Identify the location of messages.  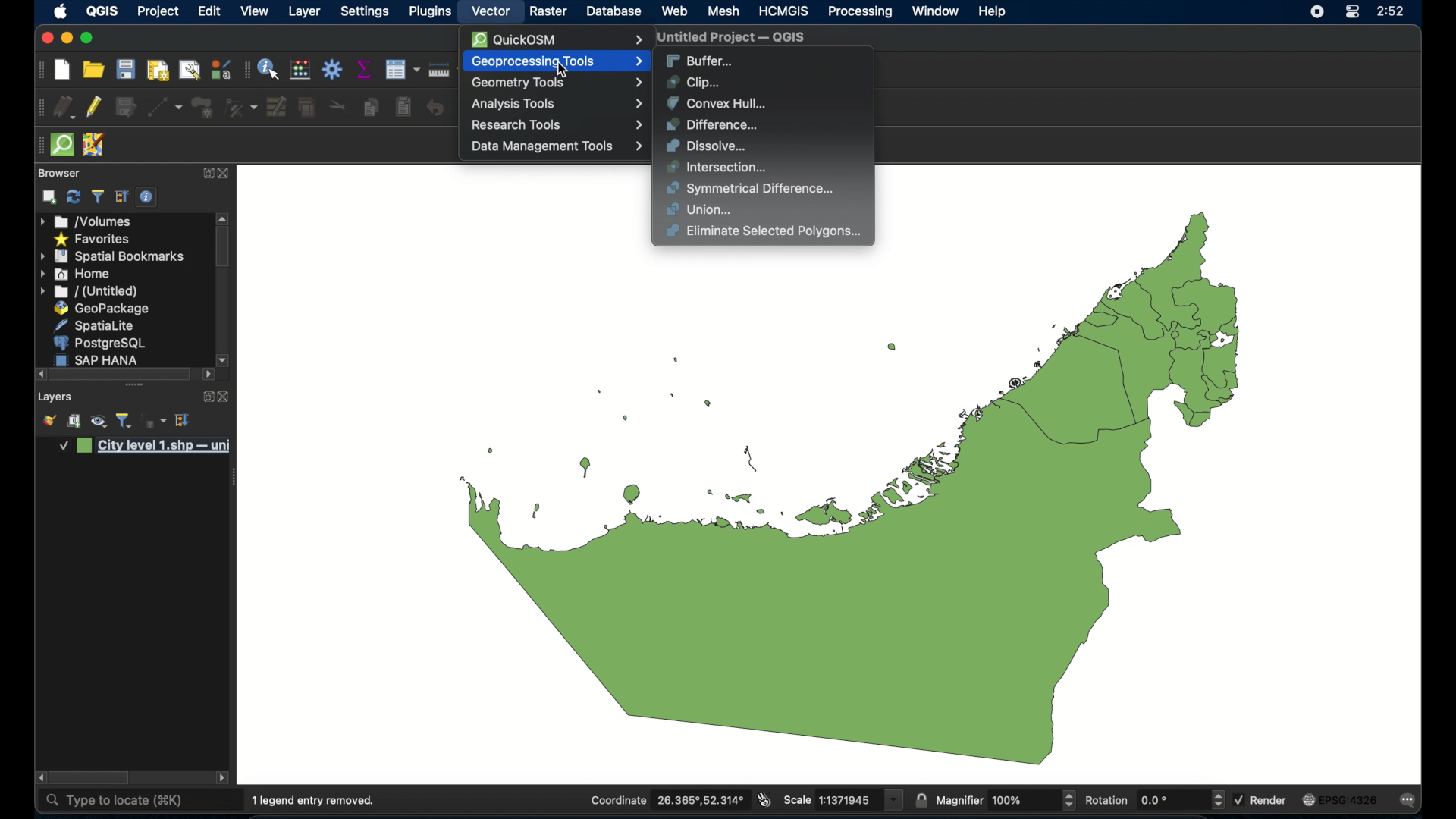
(1411, 801).